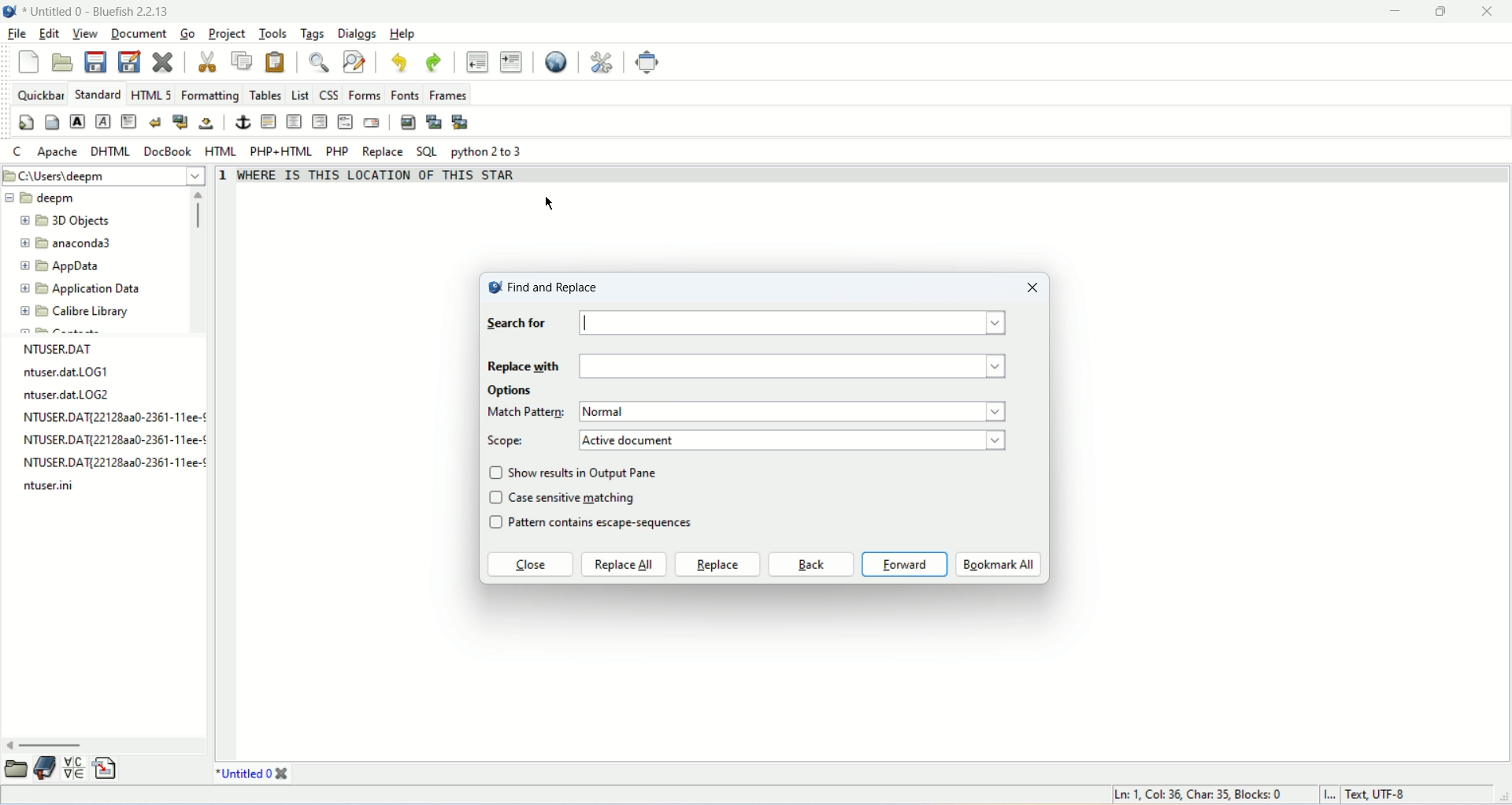 The height and width of the screenshot is (805, 1512). Describe the element at coordinates (242, 122) in the screenshot. I see `anchor` at that location.